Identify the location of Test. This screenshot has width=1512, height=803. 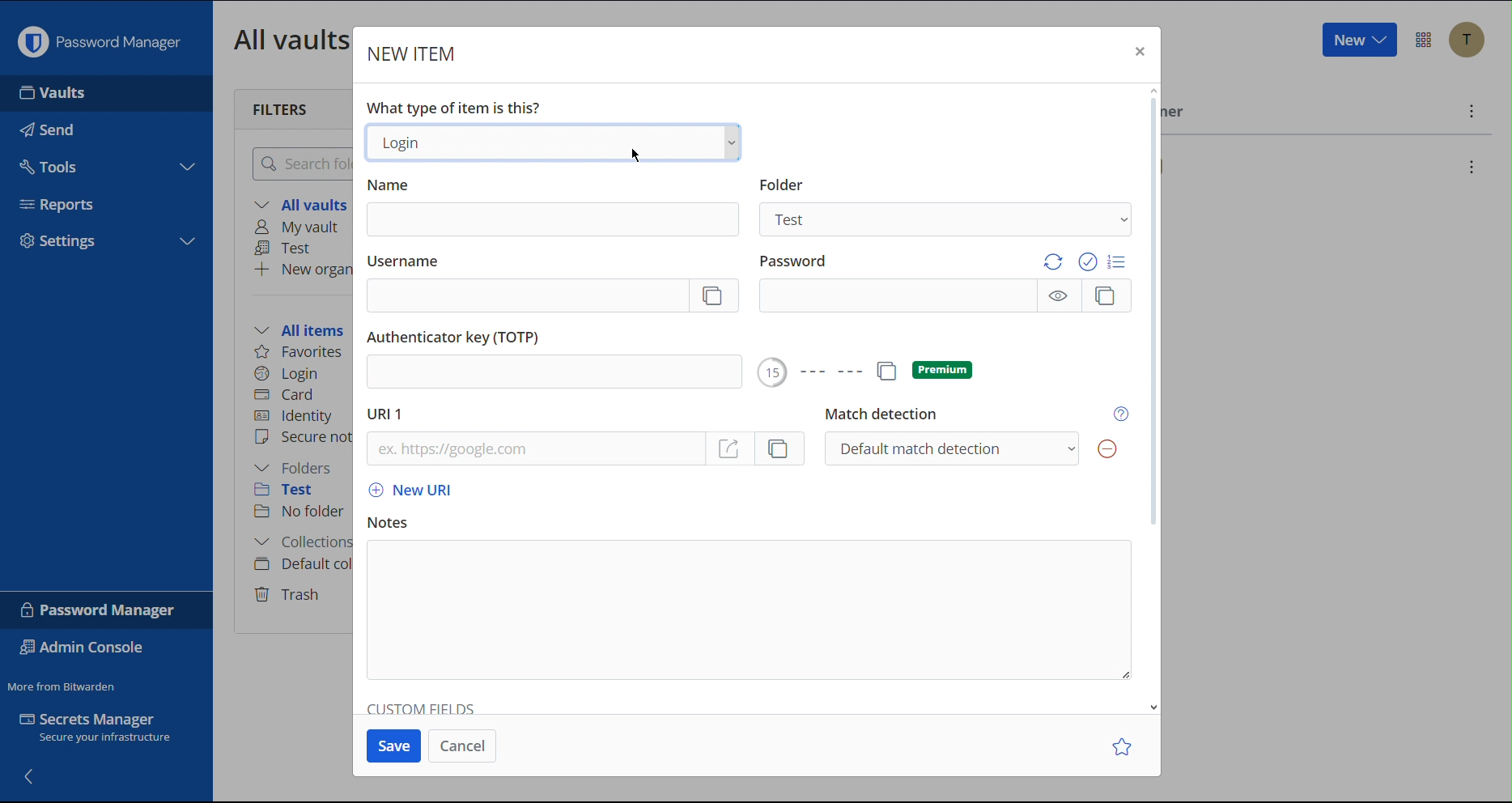
(948, 219).